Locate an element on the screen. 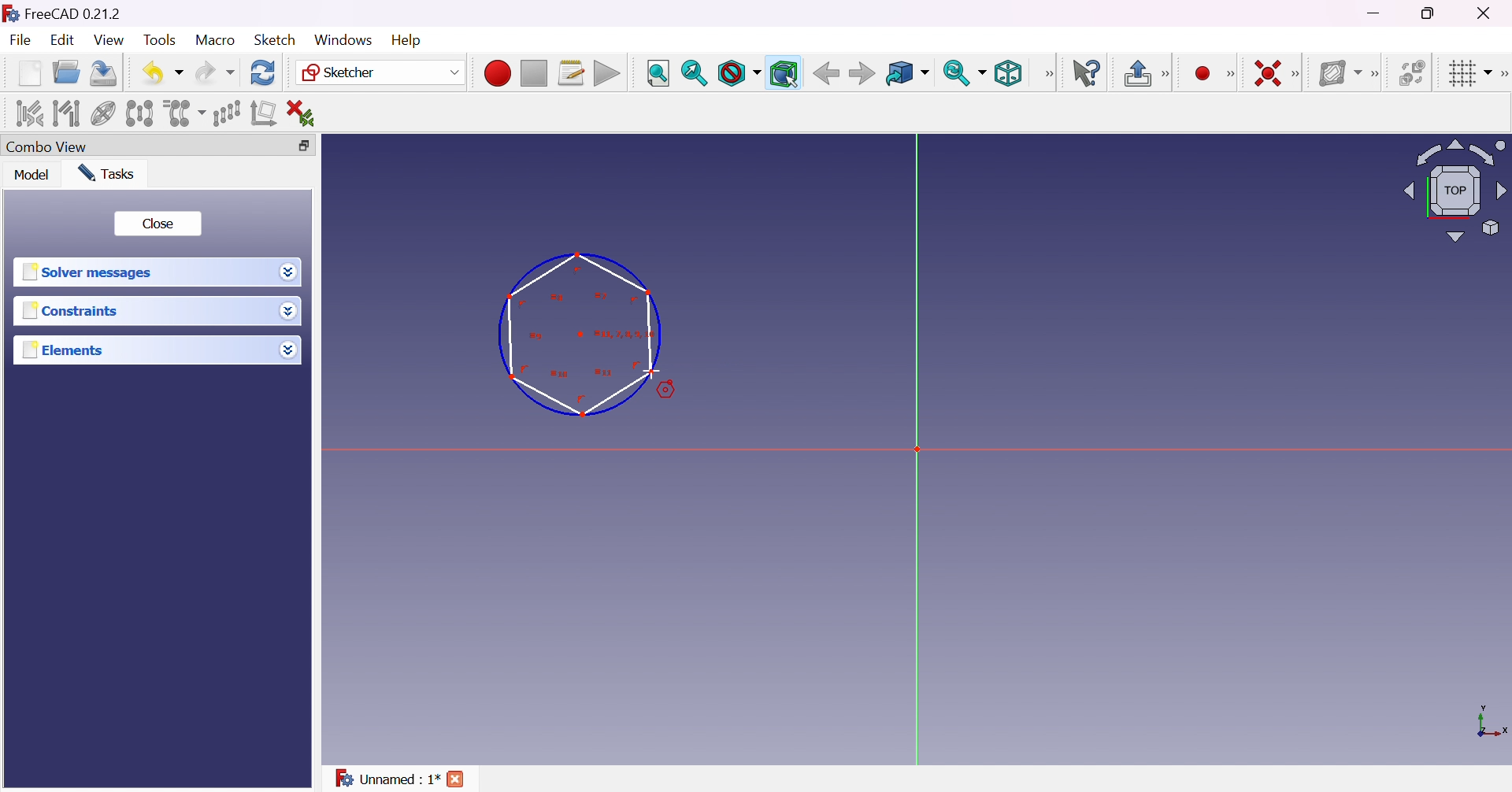 The image size is (1512, 792). Drop down is located at coordinates (292, 313).